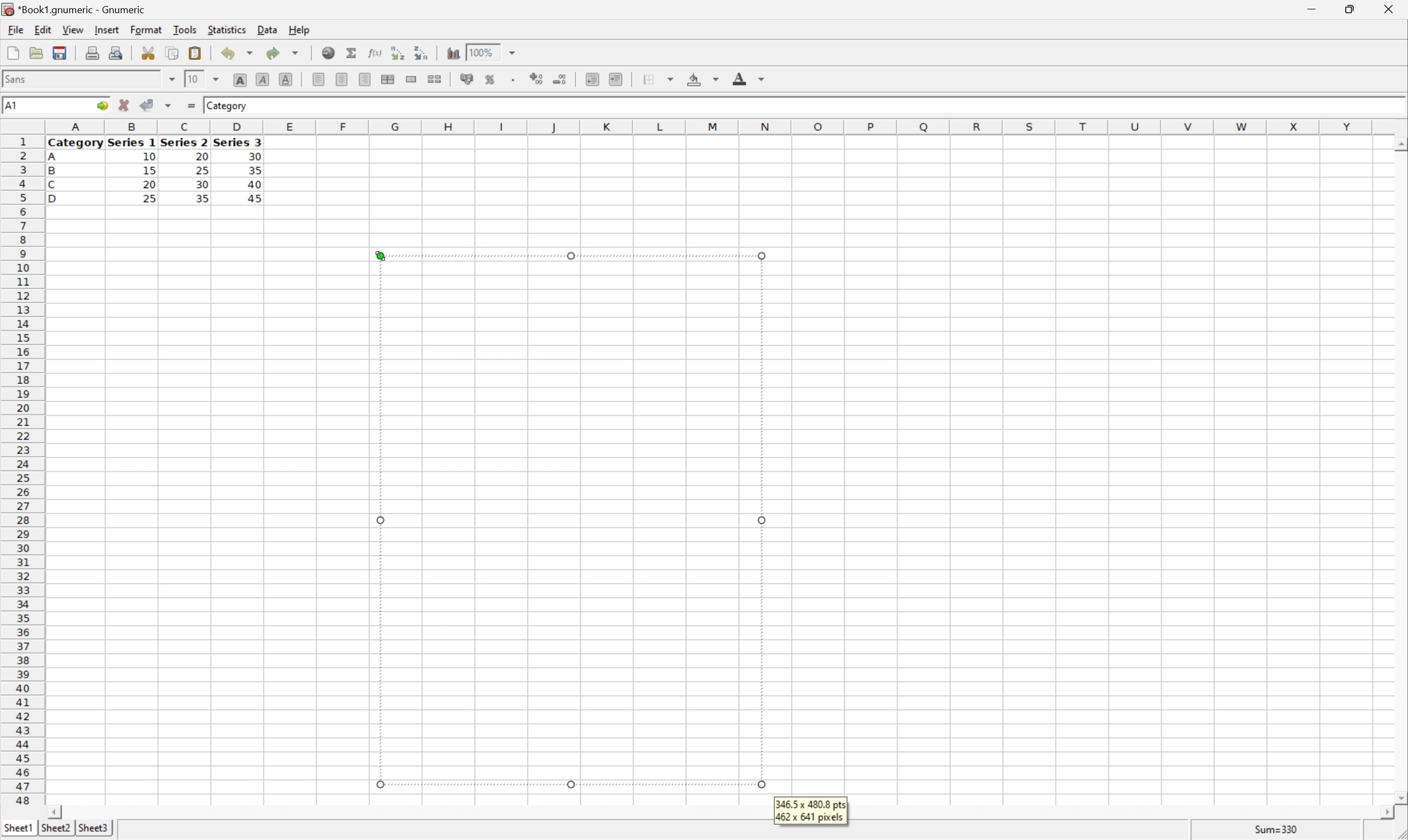 This screenshot has height=840, width=1408. I want to click on Statistics, so click(228, 30).